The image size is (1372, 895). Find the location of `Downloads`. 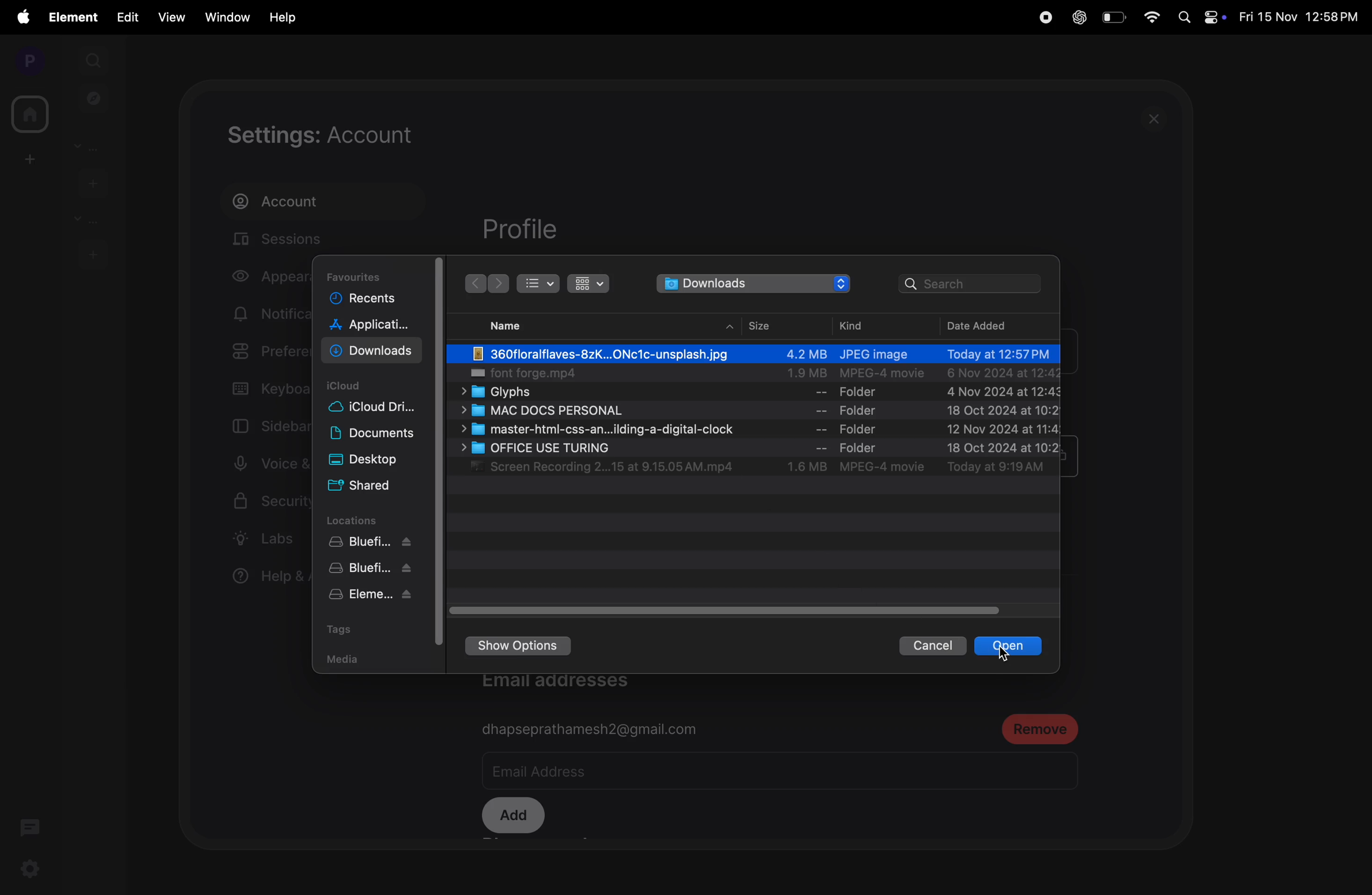

Downloads is located at coordinates (374, 351).